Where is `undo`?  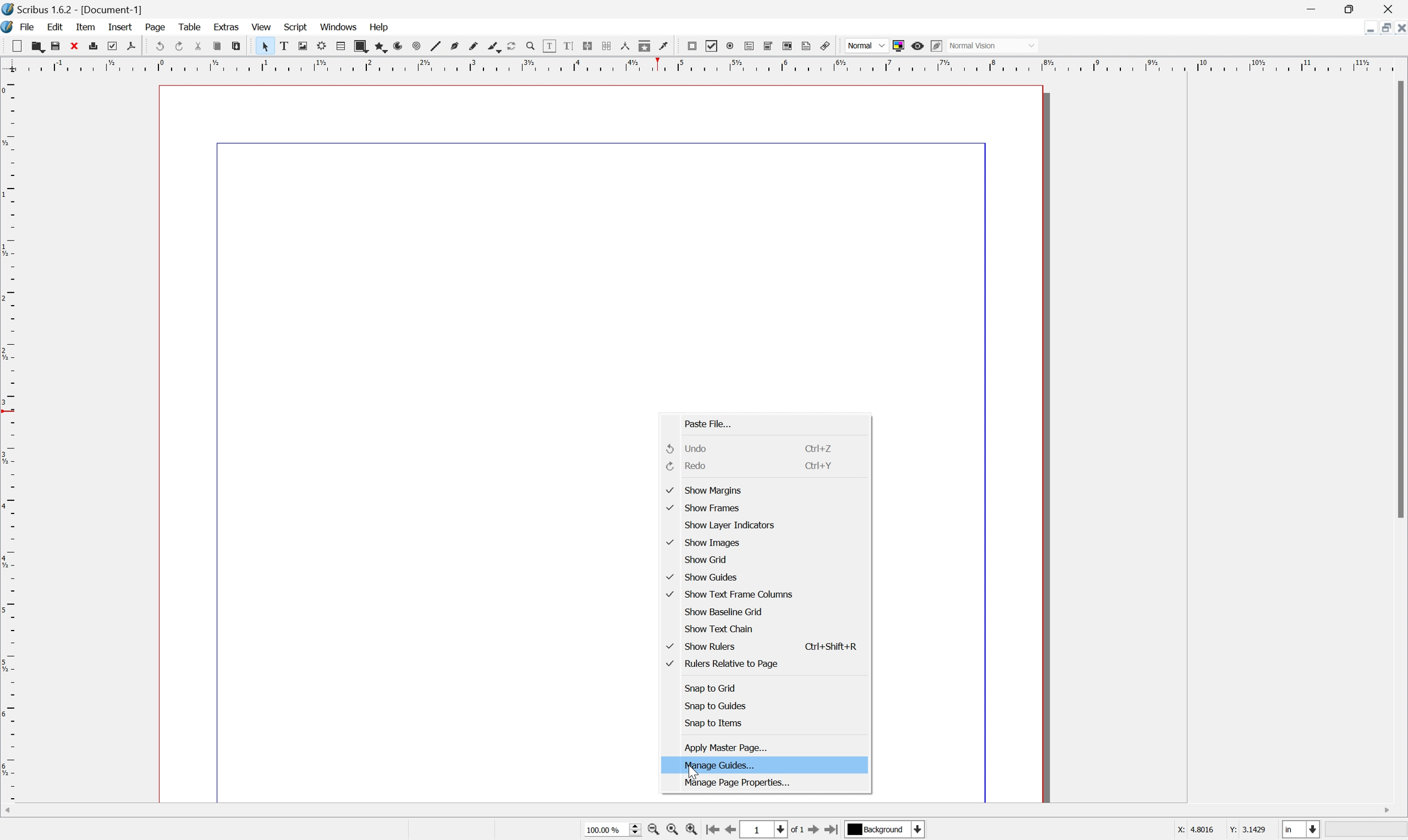
undo is located at coordinates (157, 44).